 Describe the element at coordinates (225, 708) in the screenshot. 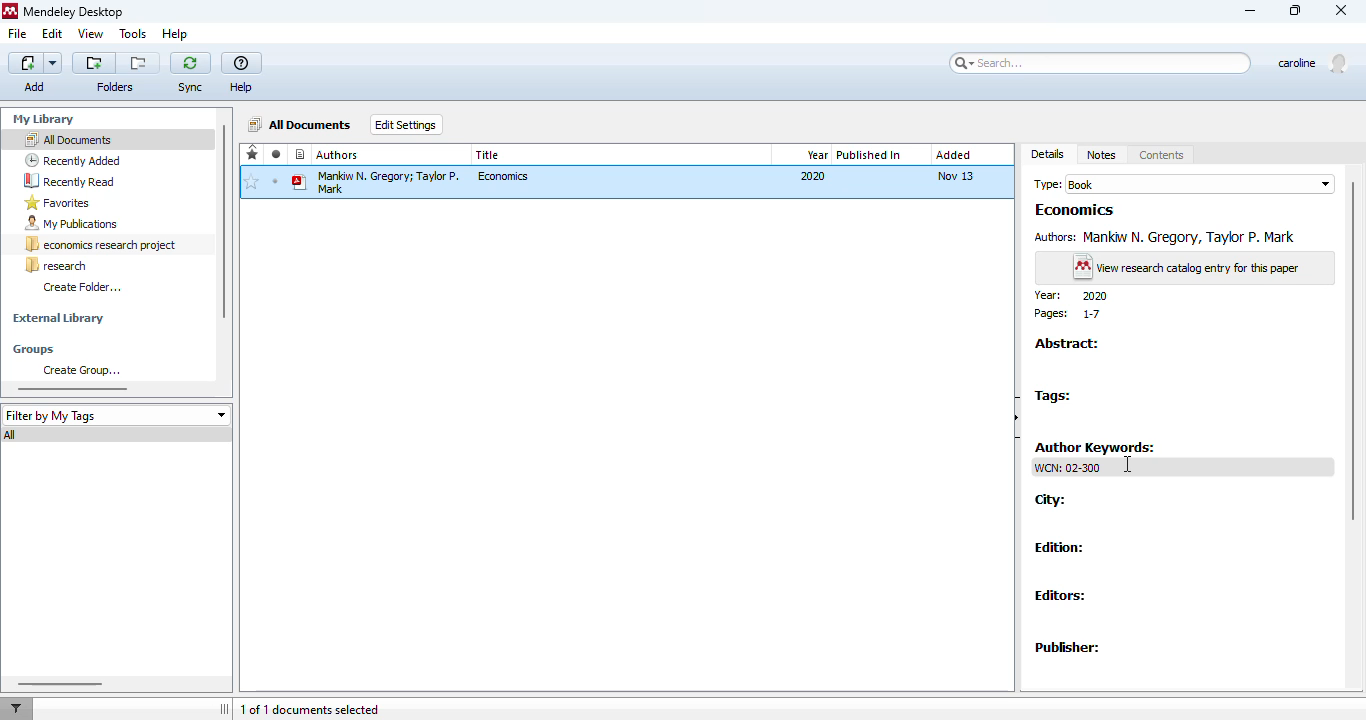

I see `toggle sidebar` at that location.